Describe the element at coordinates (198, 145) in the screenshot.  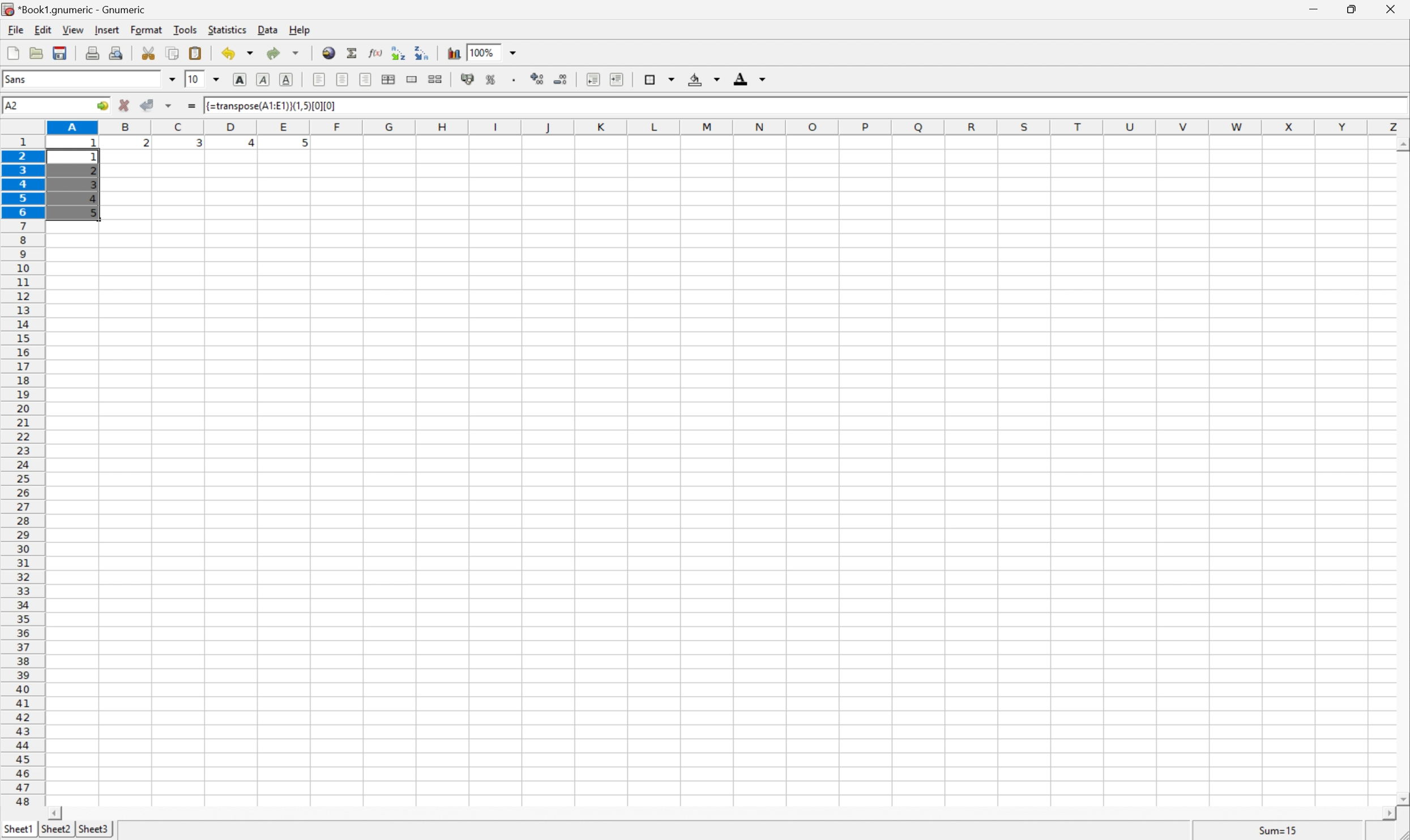
I see `3` at that location.